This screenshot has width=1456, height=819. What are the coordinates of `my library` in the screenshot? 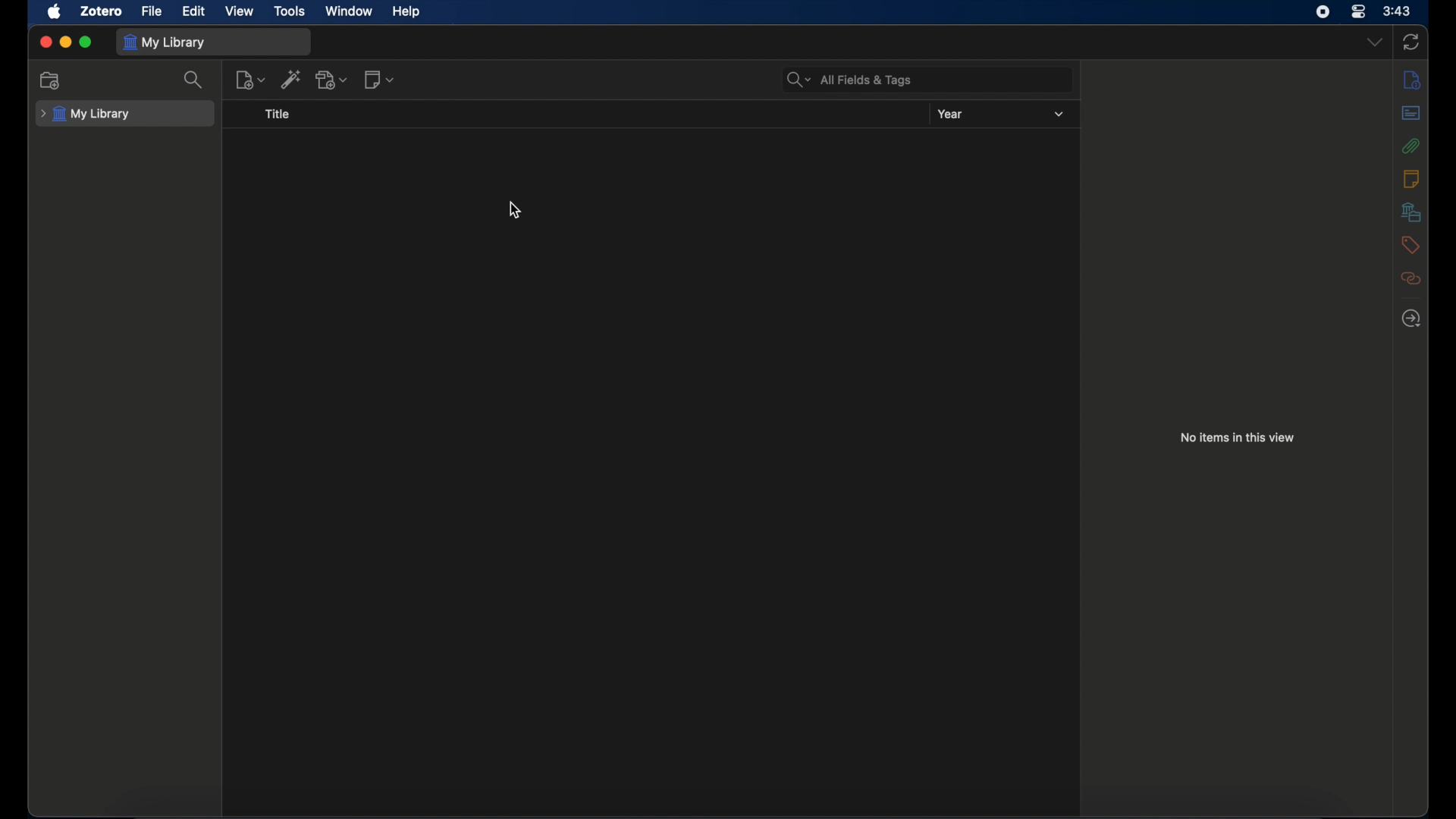 It's located at (85, 114).